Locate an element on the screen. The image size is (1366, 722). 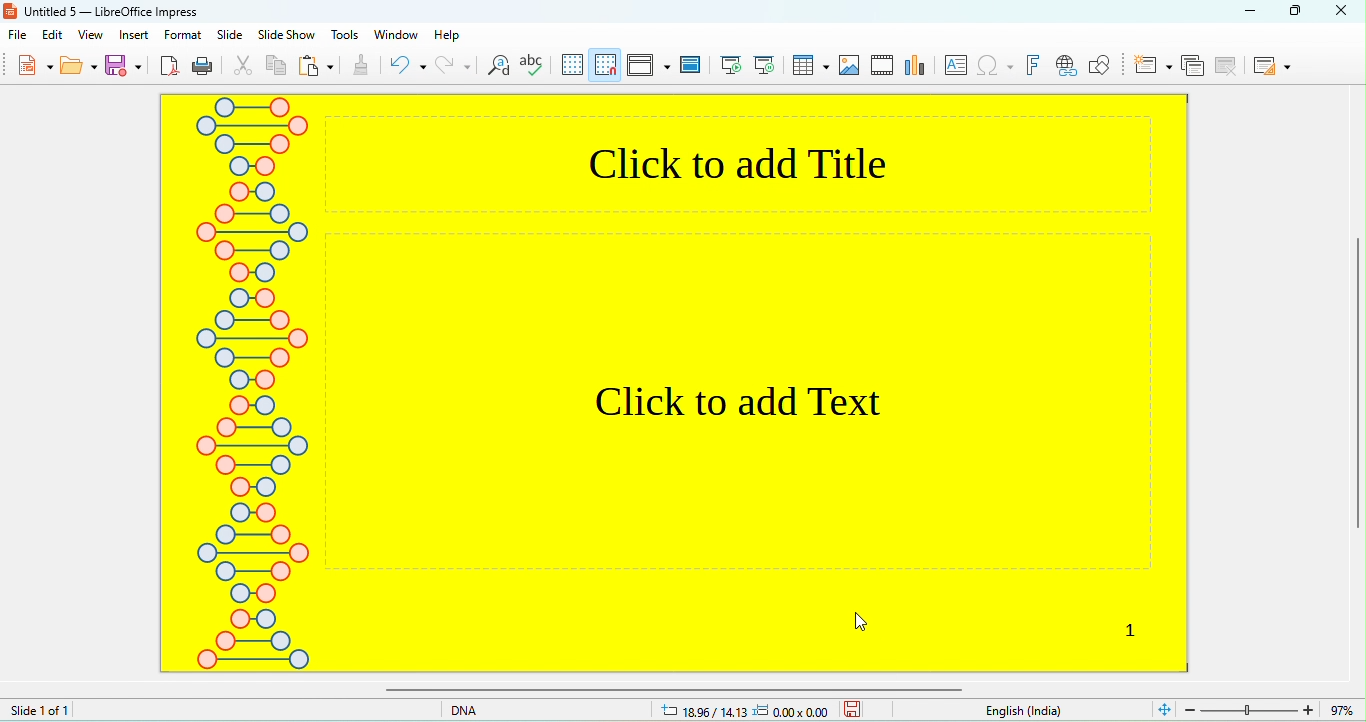
table is located at coordinates (810, 65).